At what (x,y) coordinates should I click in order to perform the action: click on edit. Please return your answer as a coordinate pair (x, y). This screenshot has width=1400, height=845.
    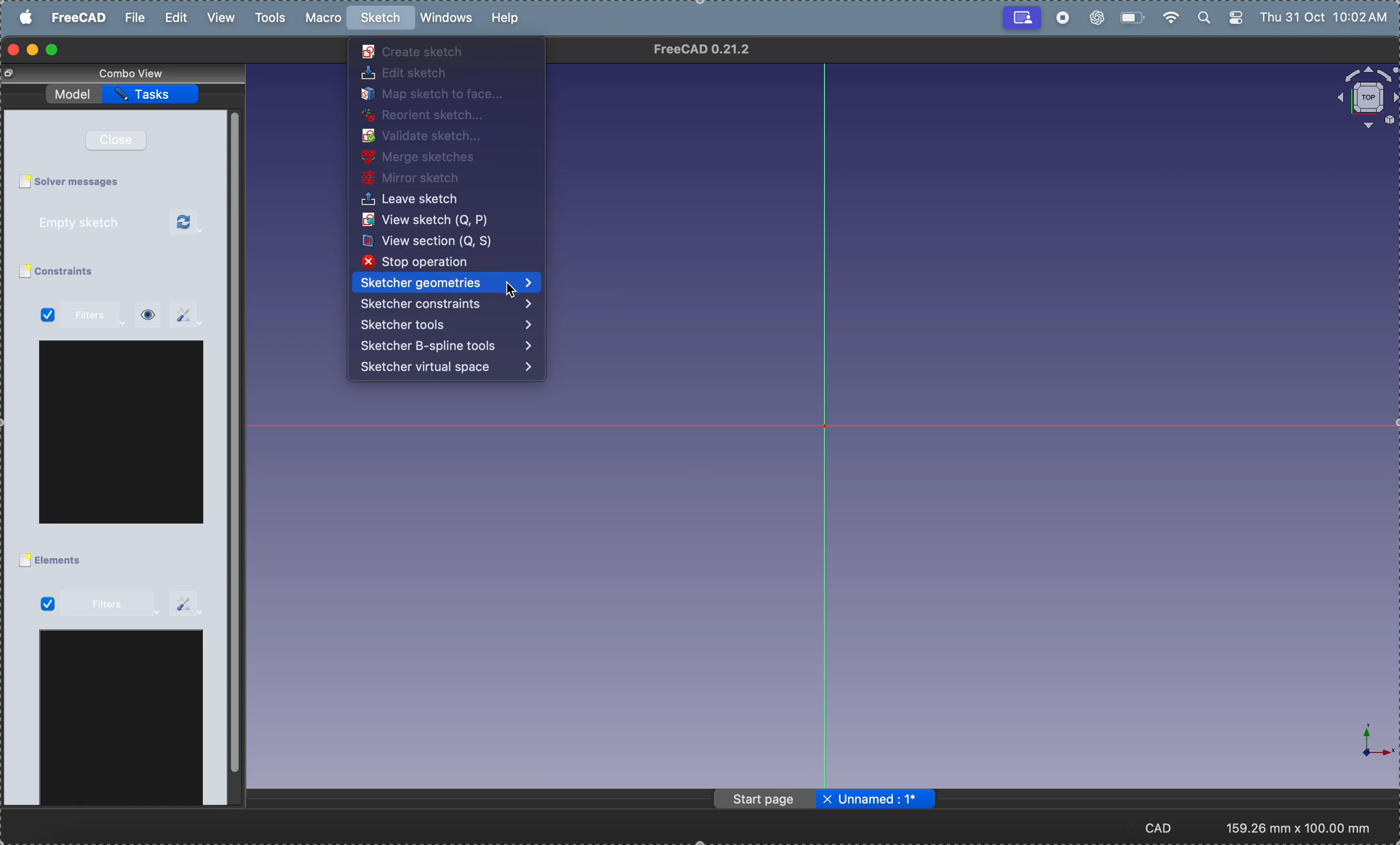
    Looking at the image, I should click on (178, 18).